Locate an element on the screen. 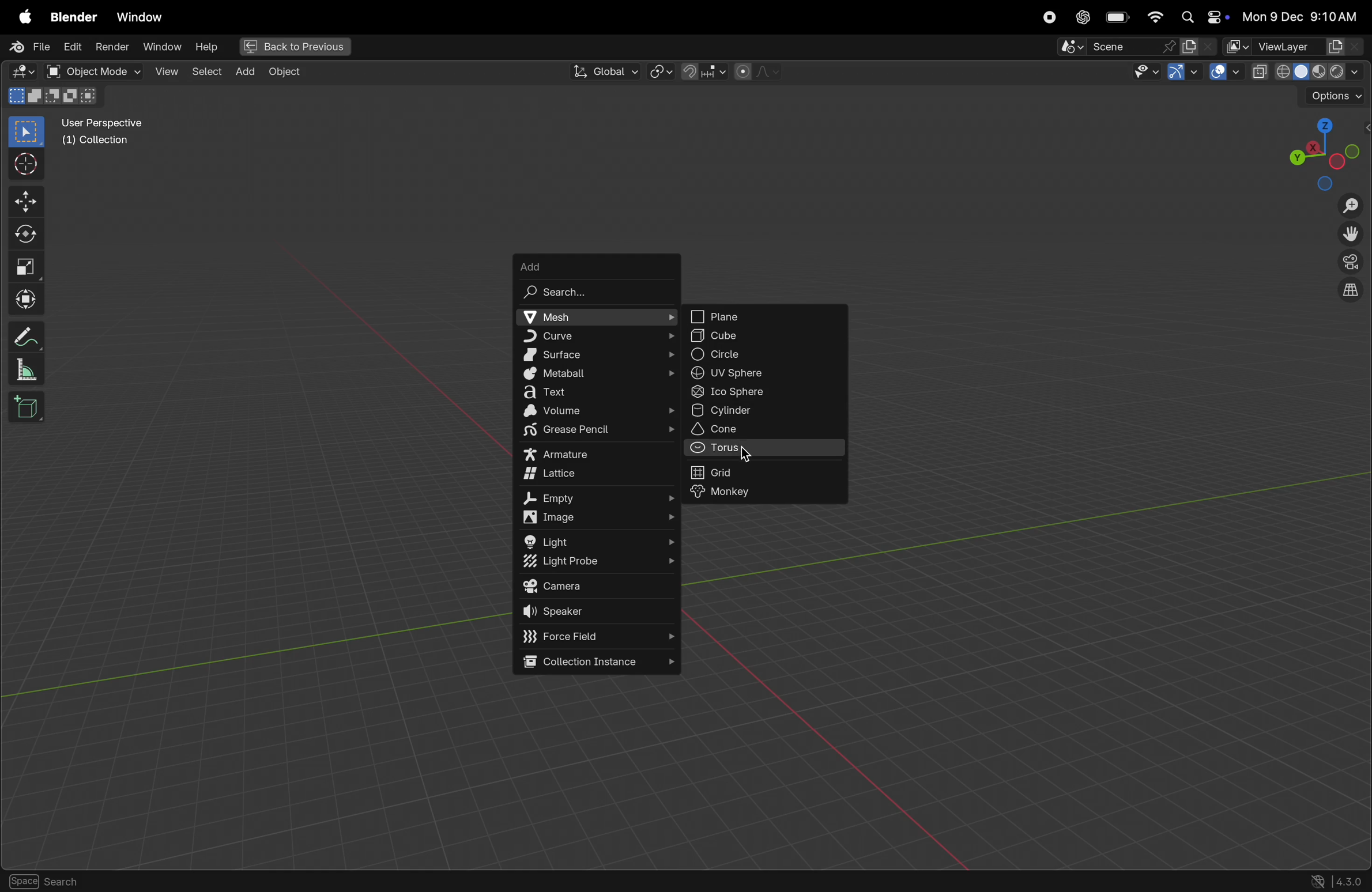 Image resolution: width=1372 pixels, height=892 pixels. cursor is located at coordinates (745, 453).